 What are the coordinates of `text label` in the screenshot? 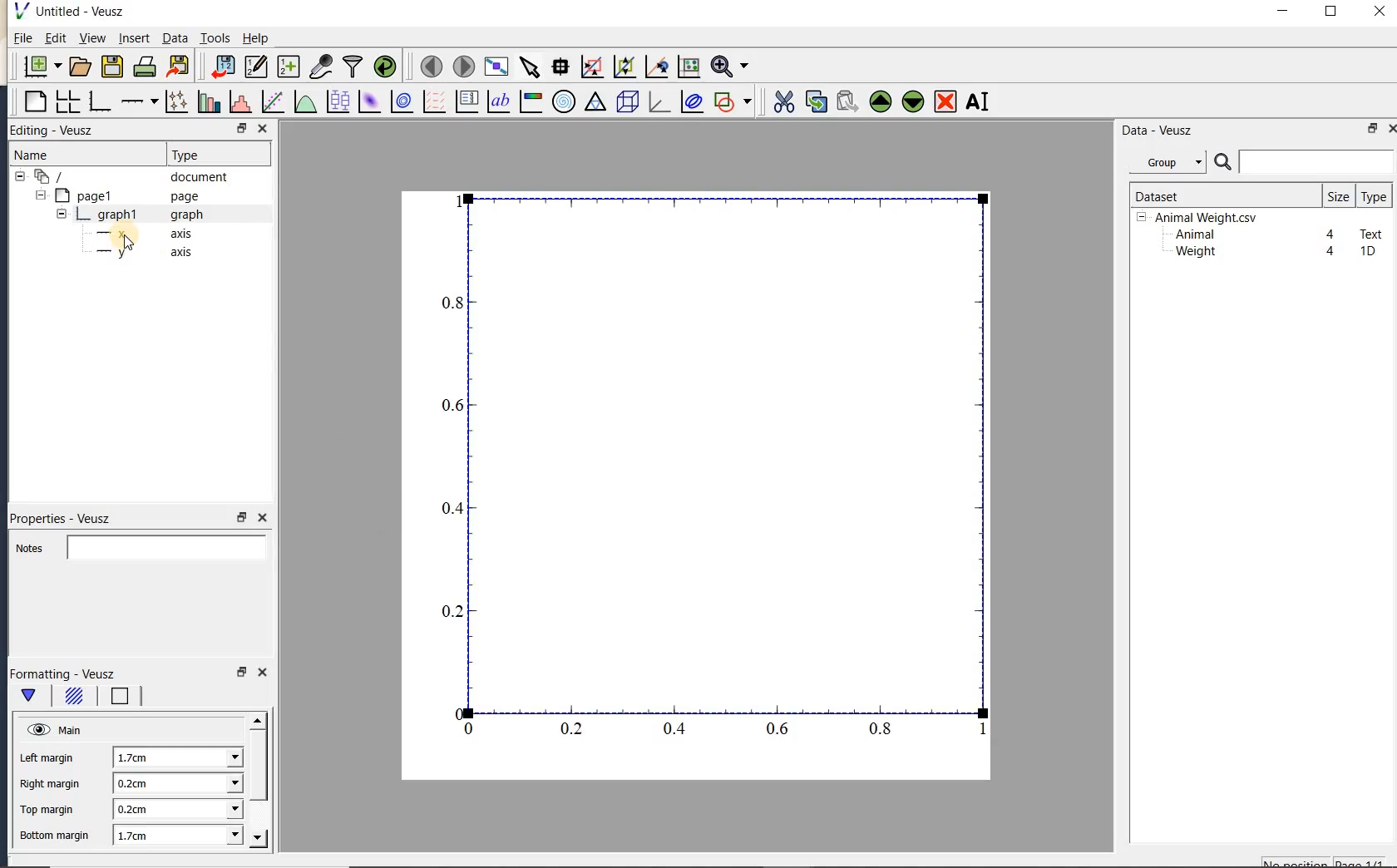 It's located at (498, 103).